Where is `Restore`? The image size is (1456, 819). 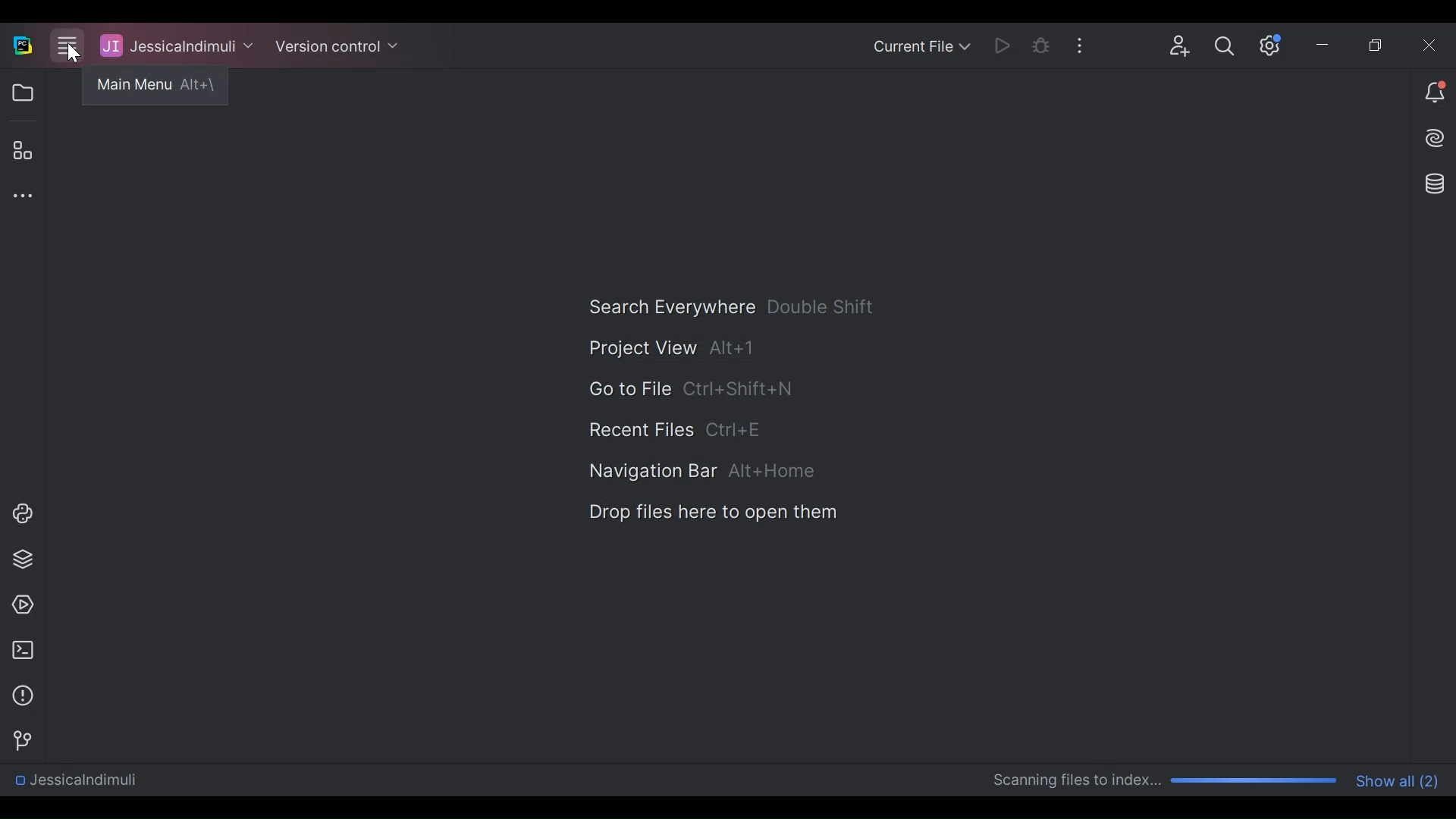 Restore is located at coordinates (1377, 42).